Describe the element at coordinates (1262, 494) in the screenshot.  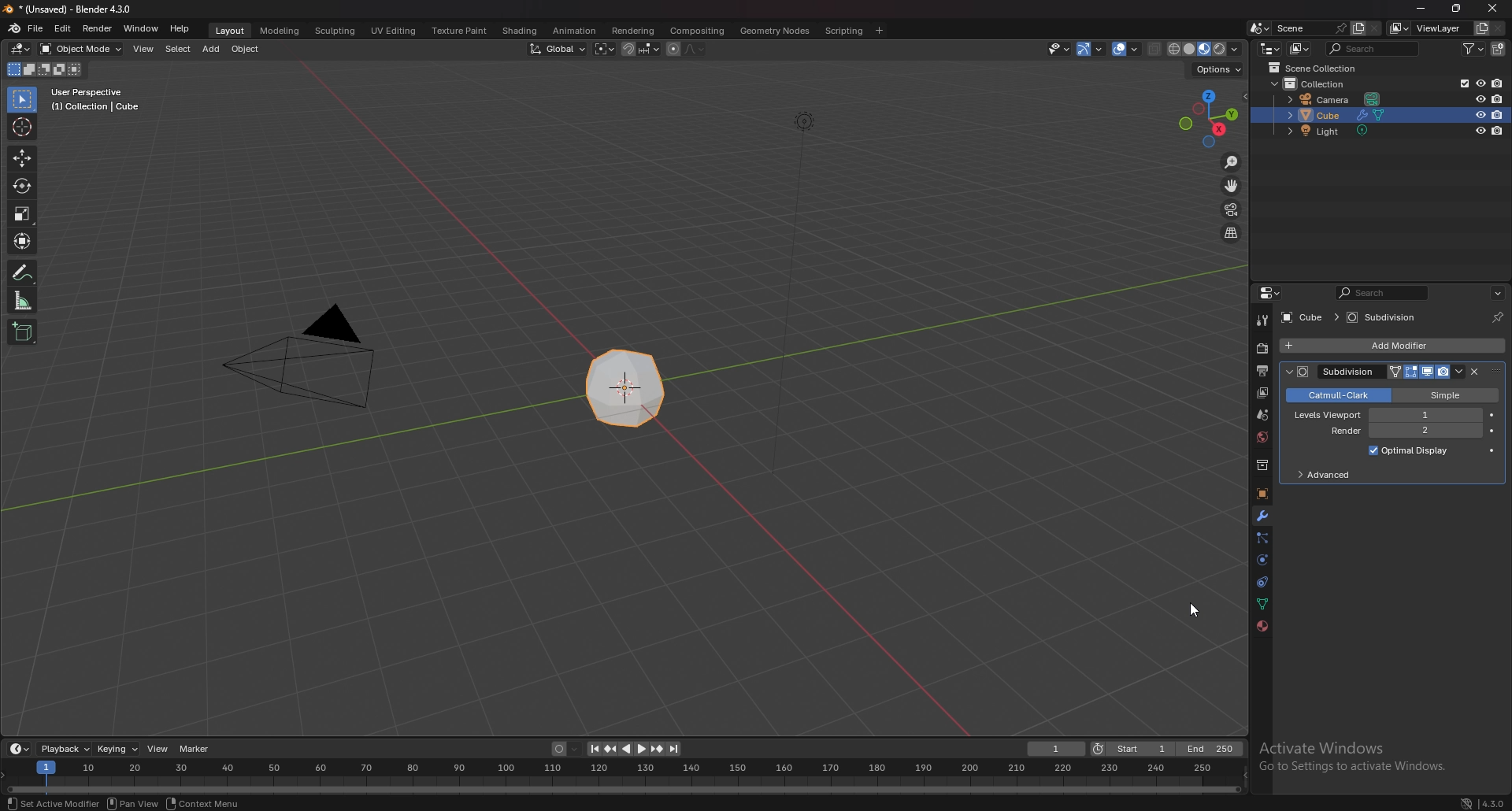
I see `object` at that location.